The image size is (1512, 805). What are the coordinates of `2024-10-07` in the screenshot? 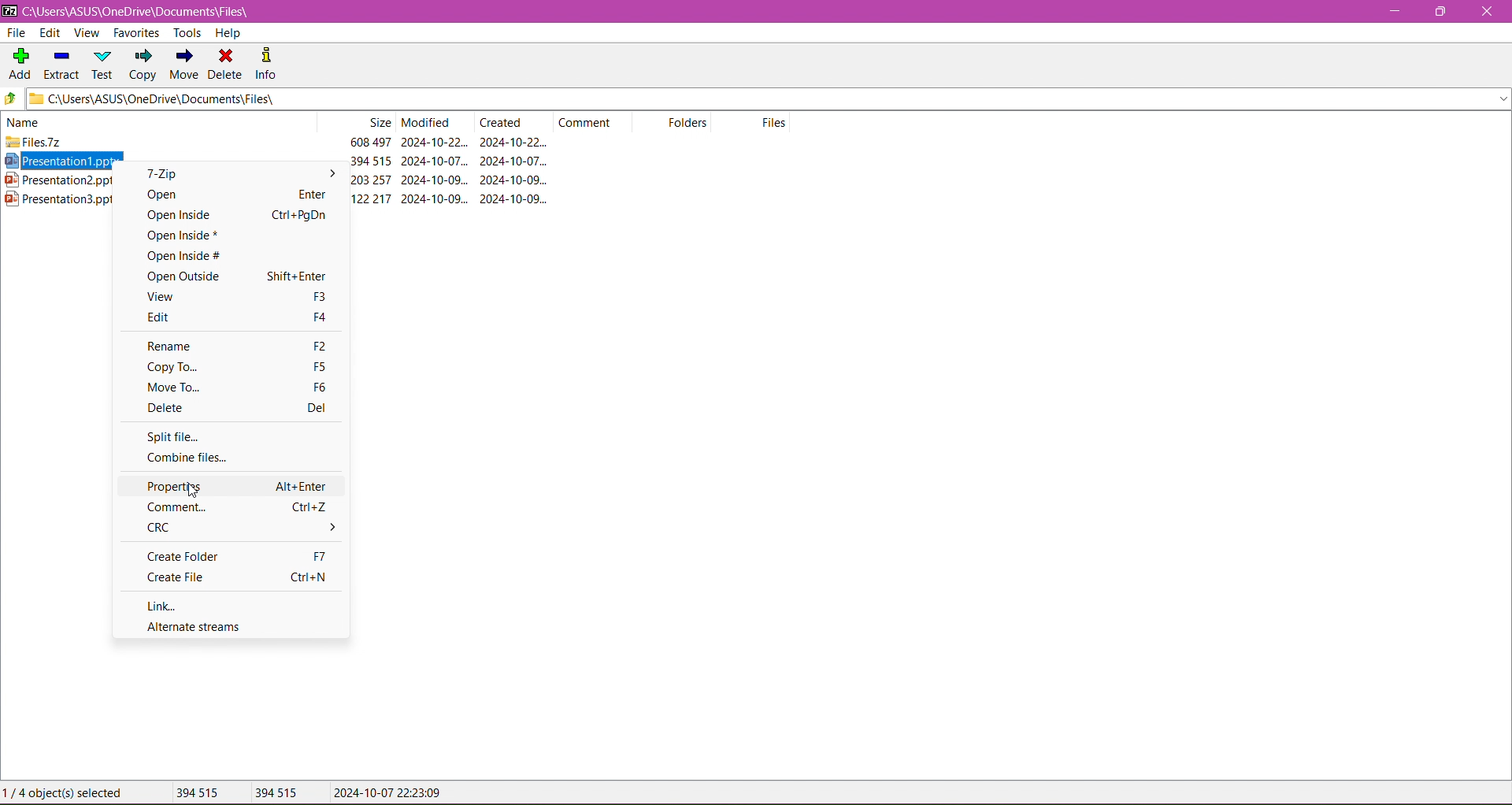 It's located at (513, 161).